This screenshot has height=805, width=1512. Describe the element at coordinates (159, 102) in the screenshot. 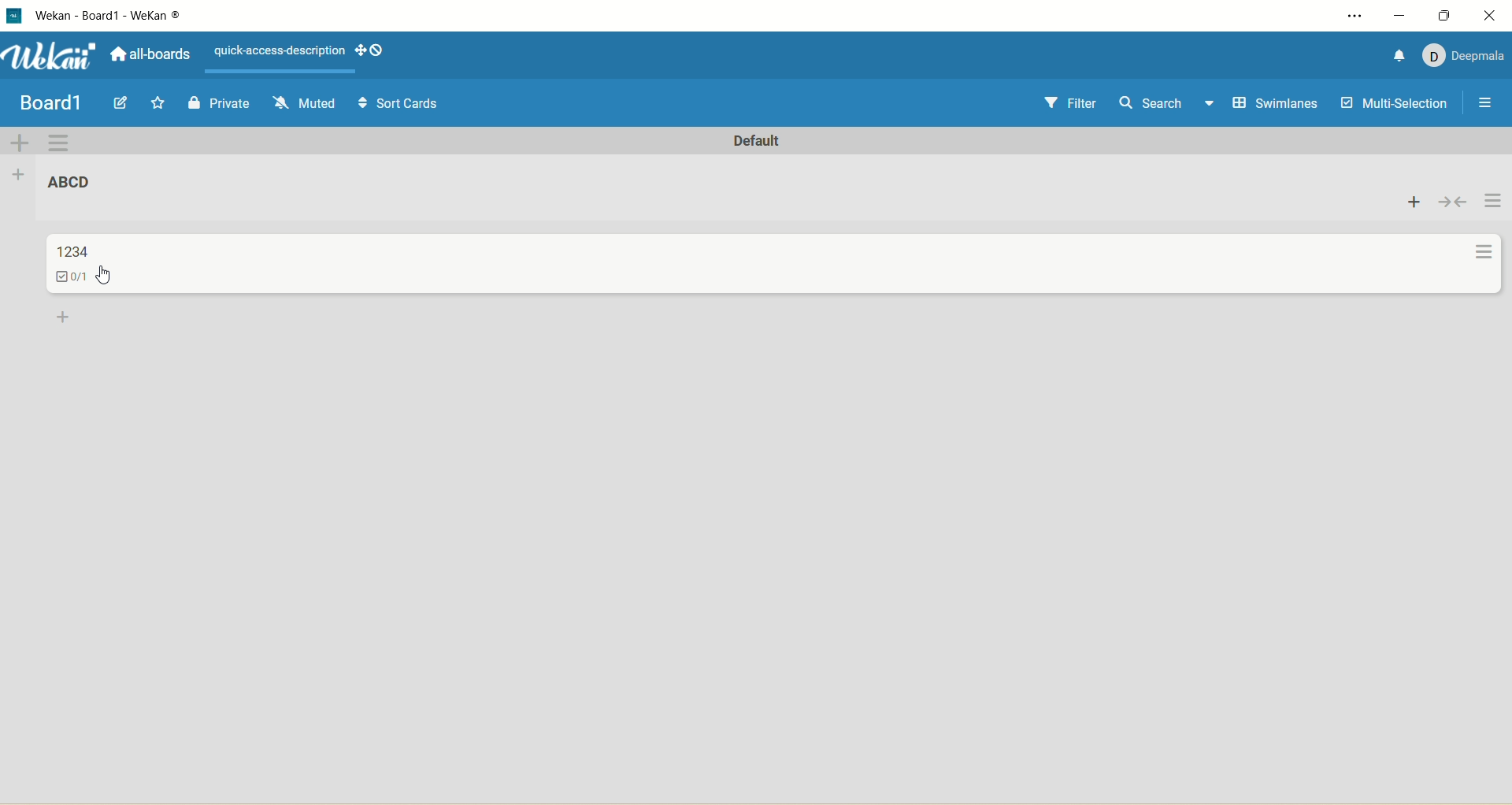

I see `favorite` at that location.